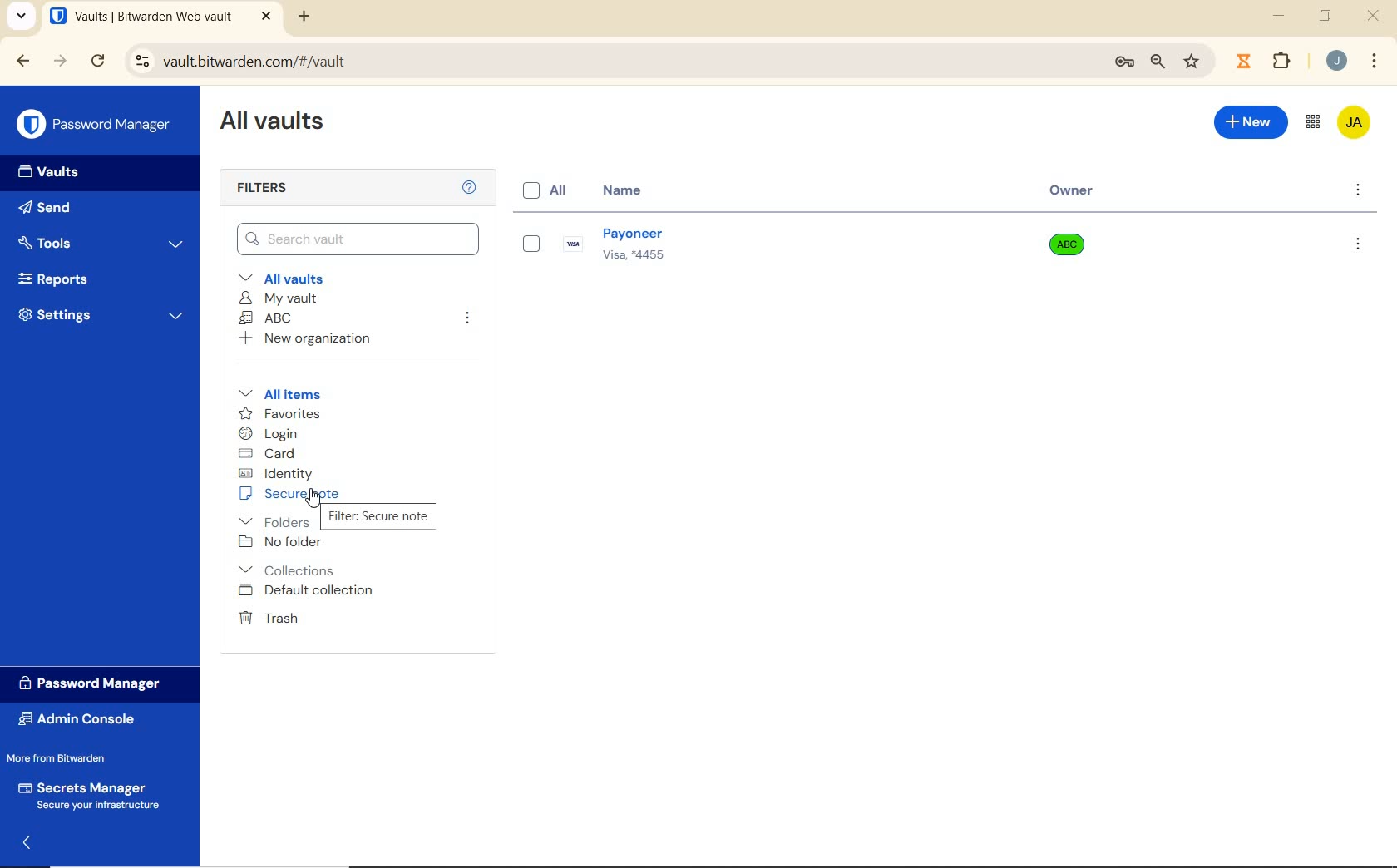 This screenshot has height=868, width=1397. What do you see at coordinates (624, 248) in the screenshot?
I see `Login Name` at bounding box center [624, 248].